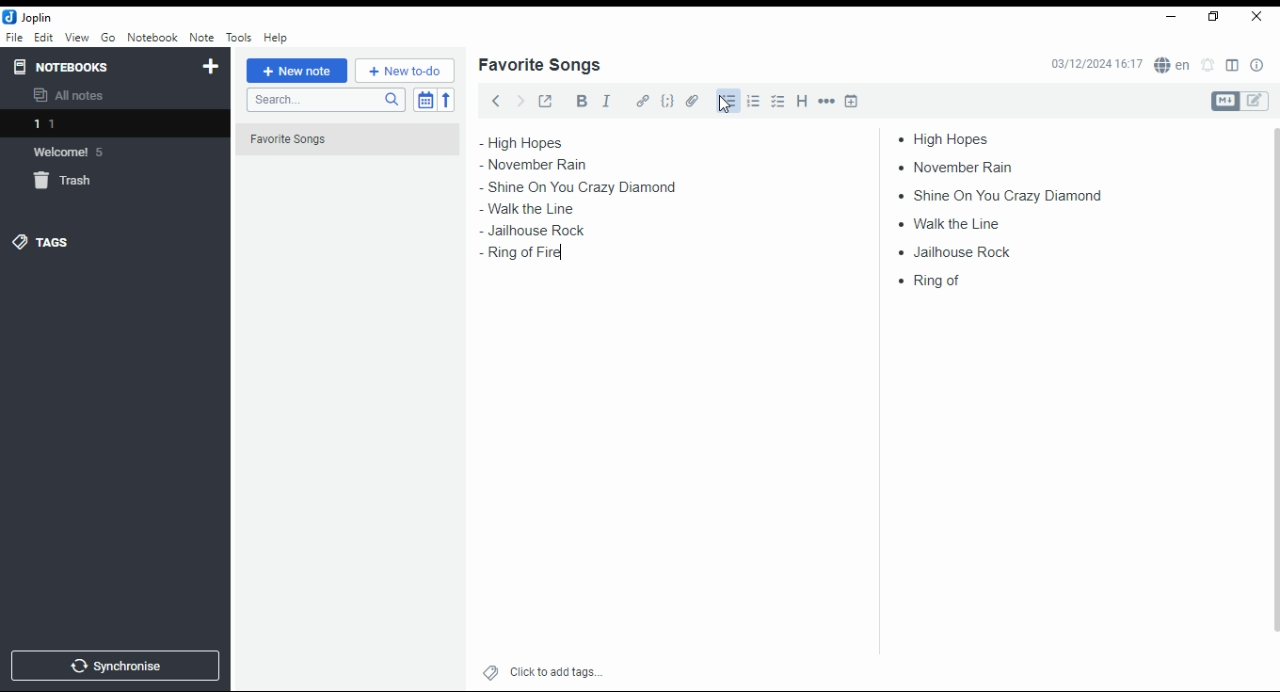 This screenshot has height=692, width=1280. Describe the element at coordinates (520, 99) in the screenshot. I see `forward` at that location.